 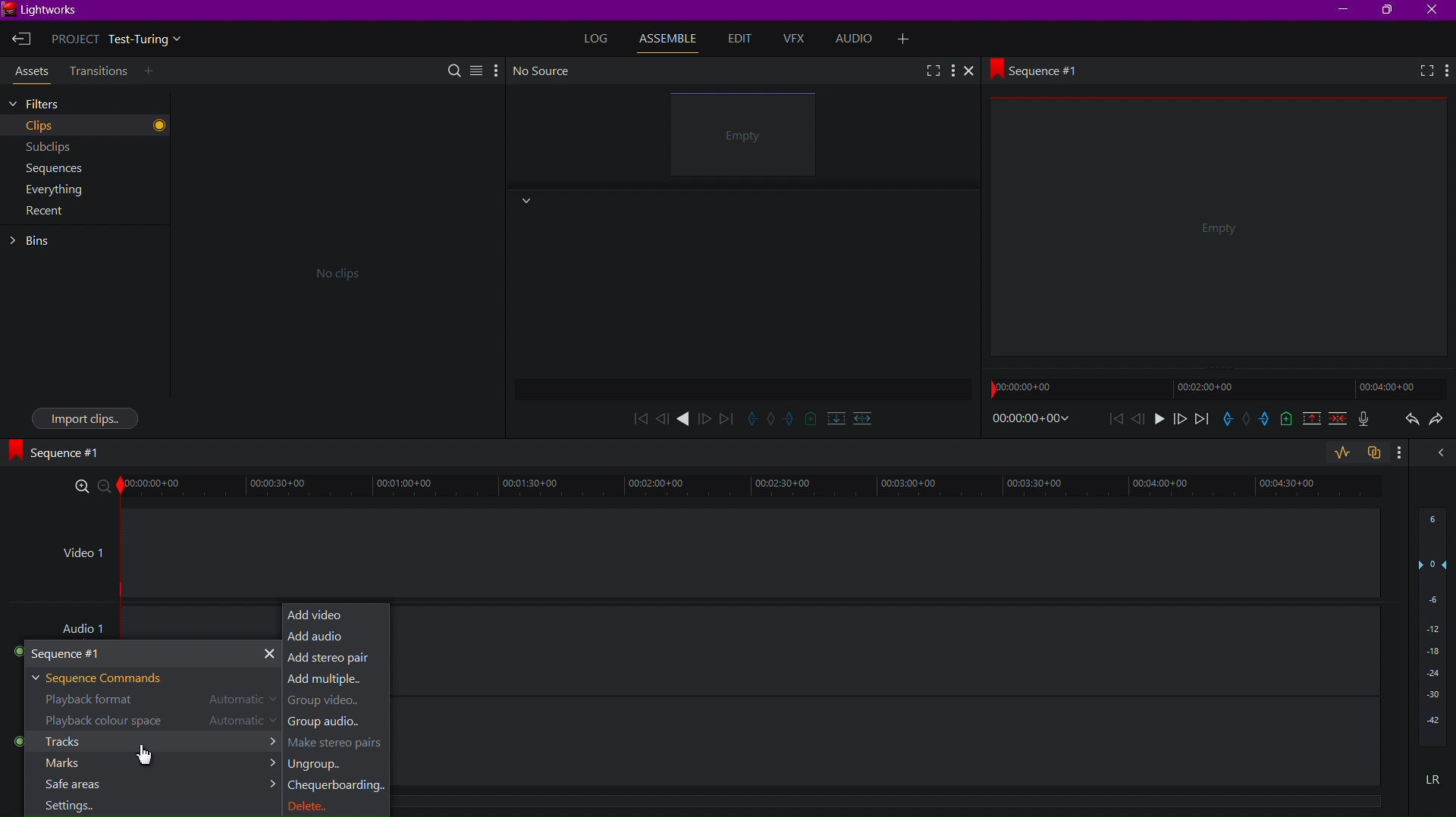 I want to click on Import clips, so click(x=85, y=417).